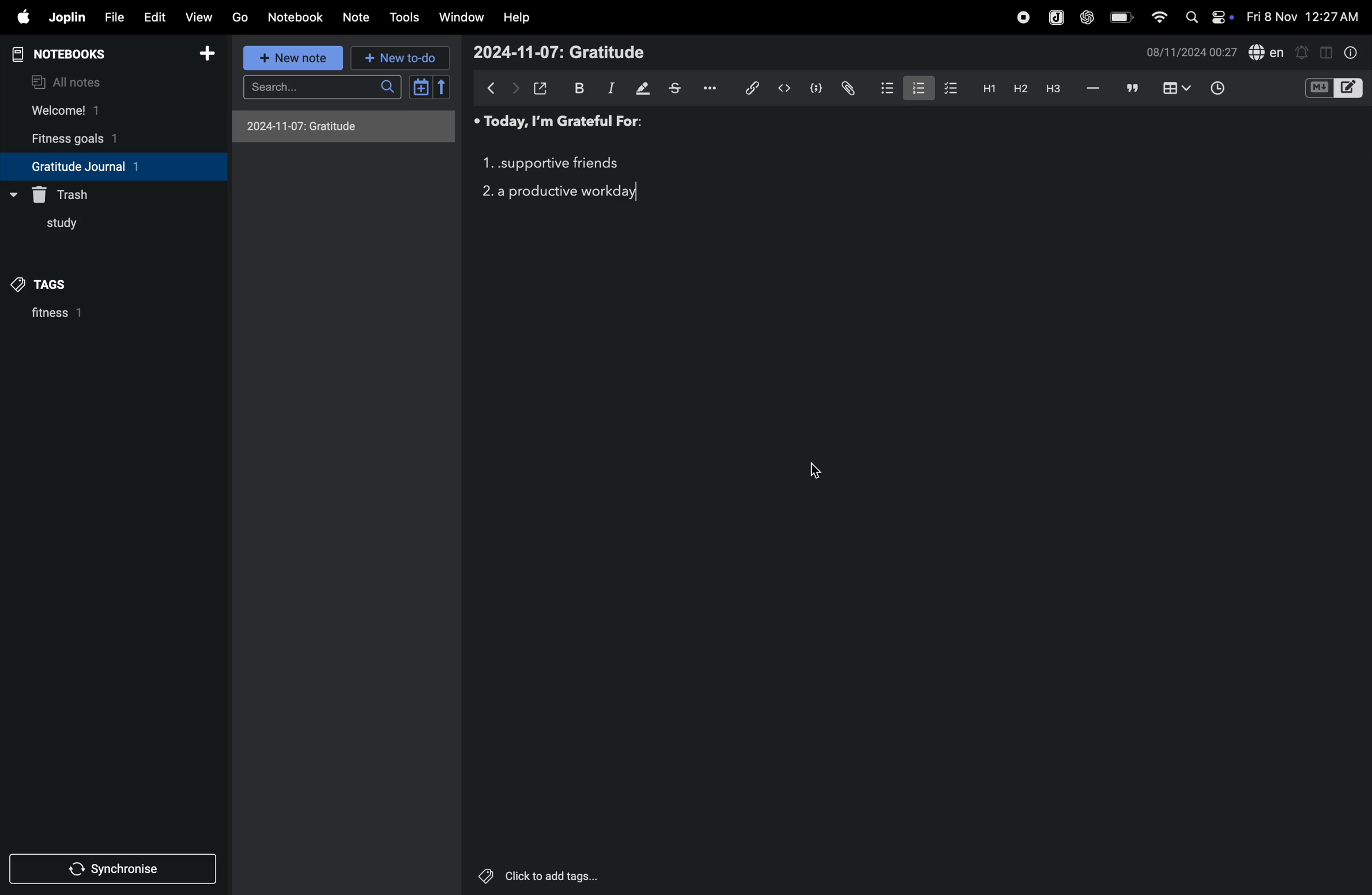  I want to click on help, so click(517, 18).